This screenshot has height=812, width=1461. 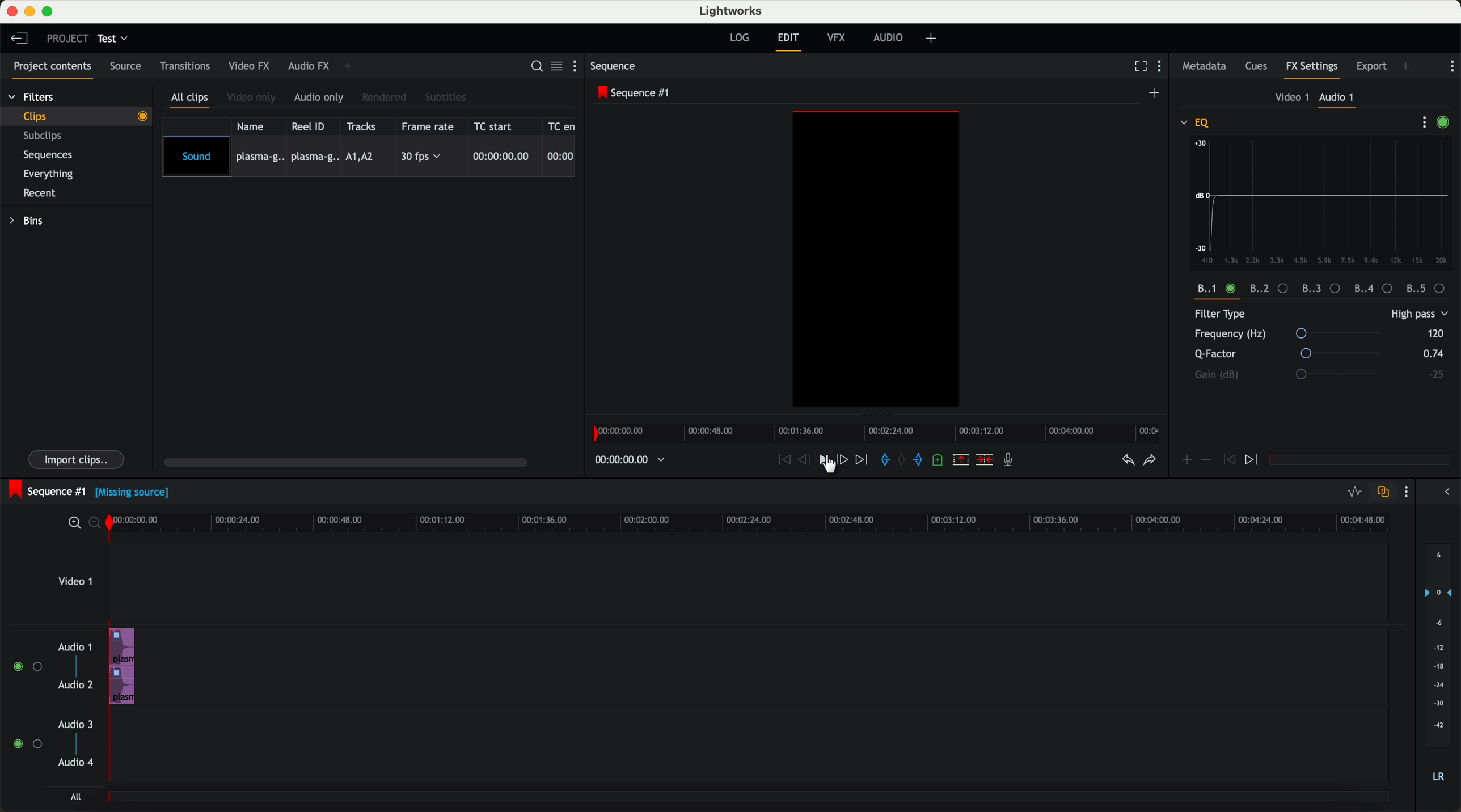 I want to click on export, so click(x=1370, y=65).